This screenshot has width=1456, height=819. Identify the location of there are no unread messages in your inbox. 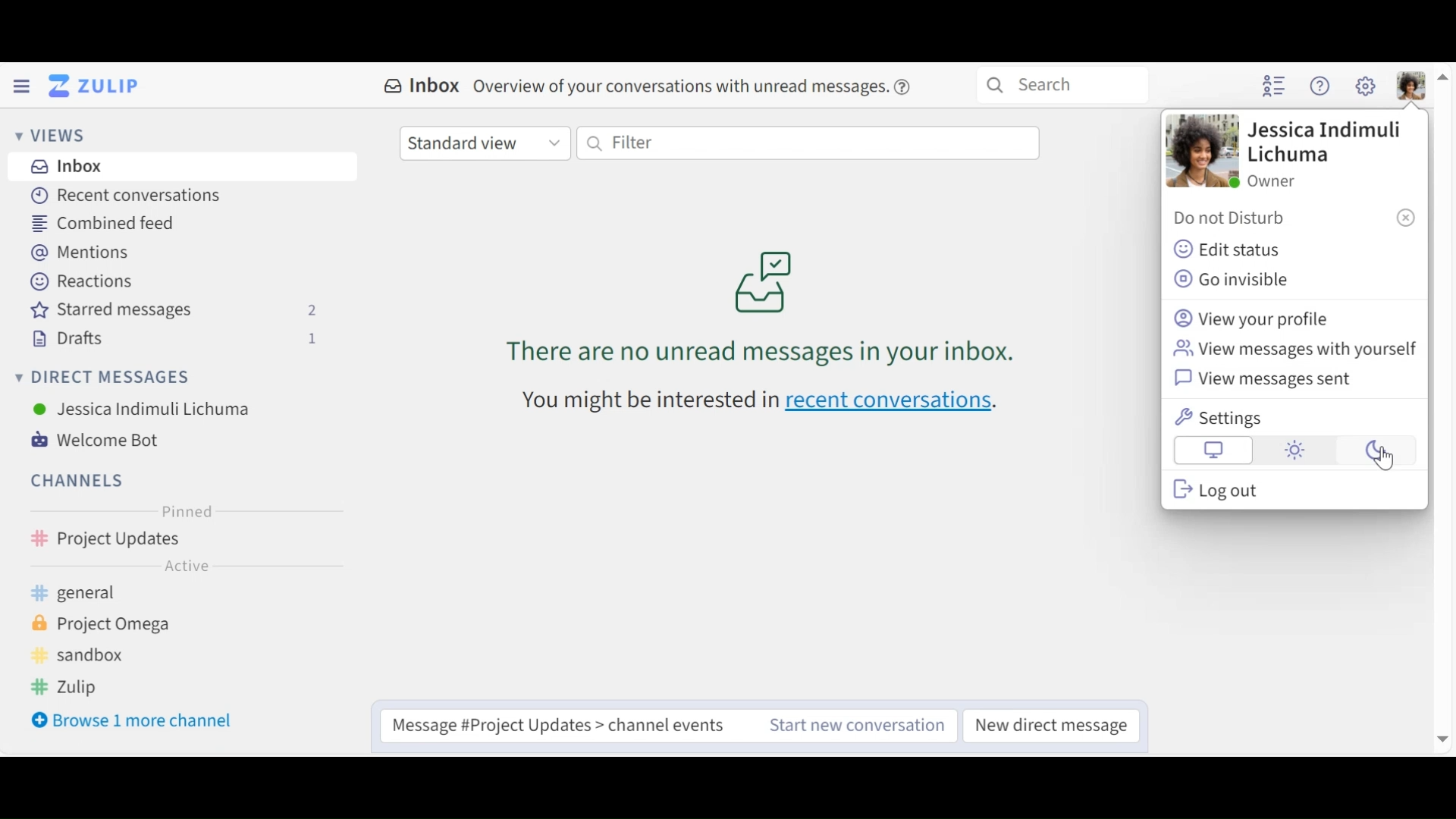
(721, 354).